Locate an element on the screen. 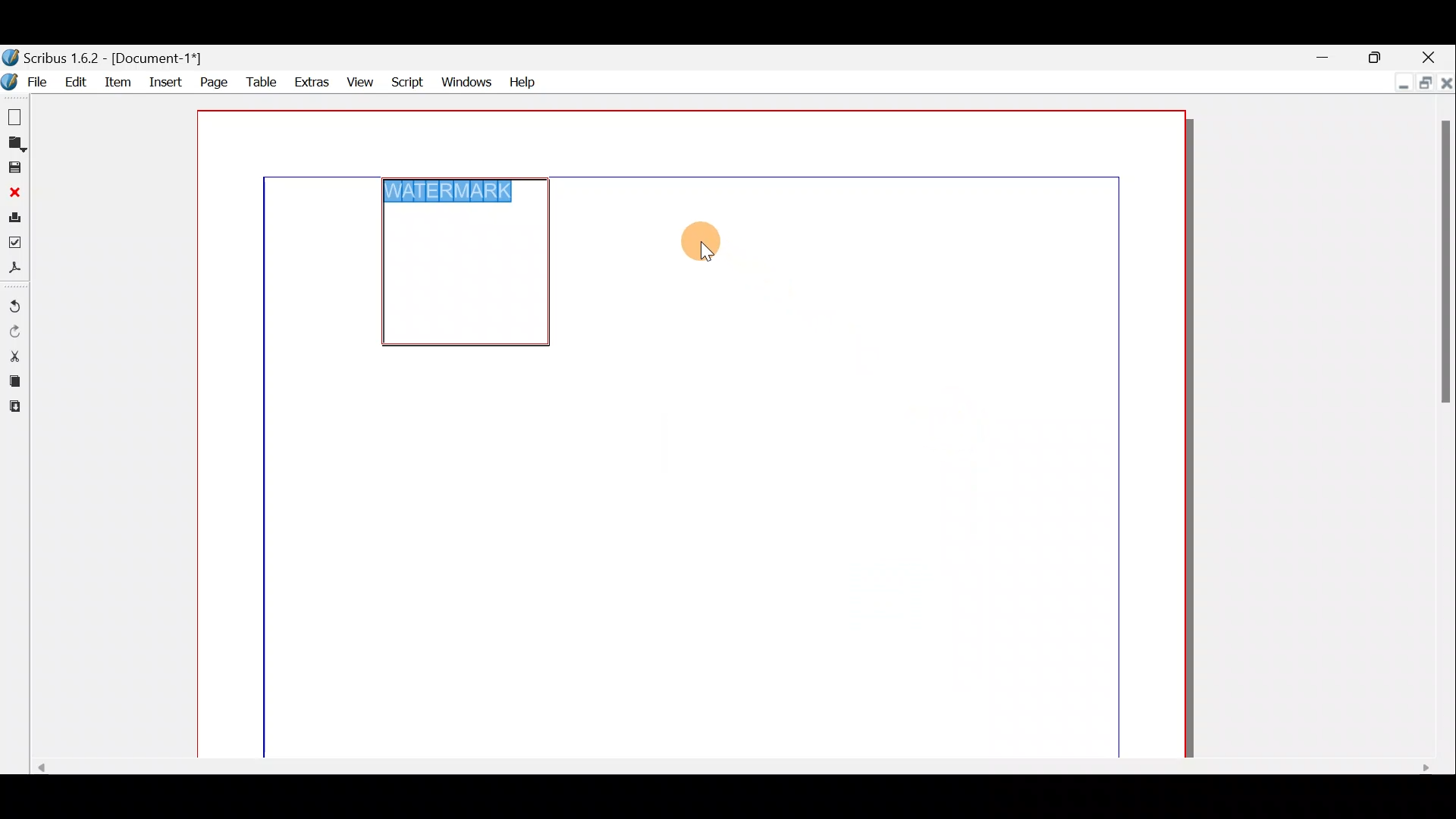 This screenshot has height=819, width=1456. Insert is located at coordinates (166, 80).